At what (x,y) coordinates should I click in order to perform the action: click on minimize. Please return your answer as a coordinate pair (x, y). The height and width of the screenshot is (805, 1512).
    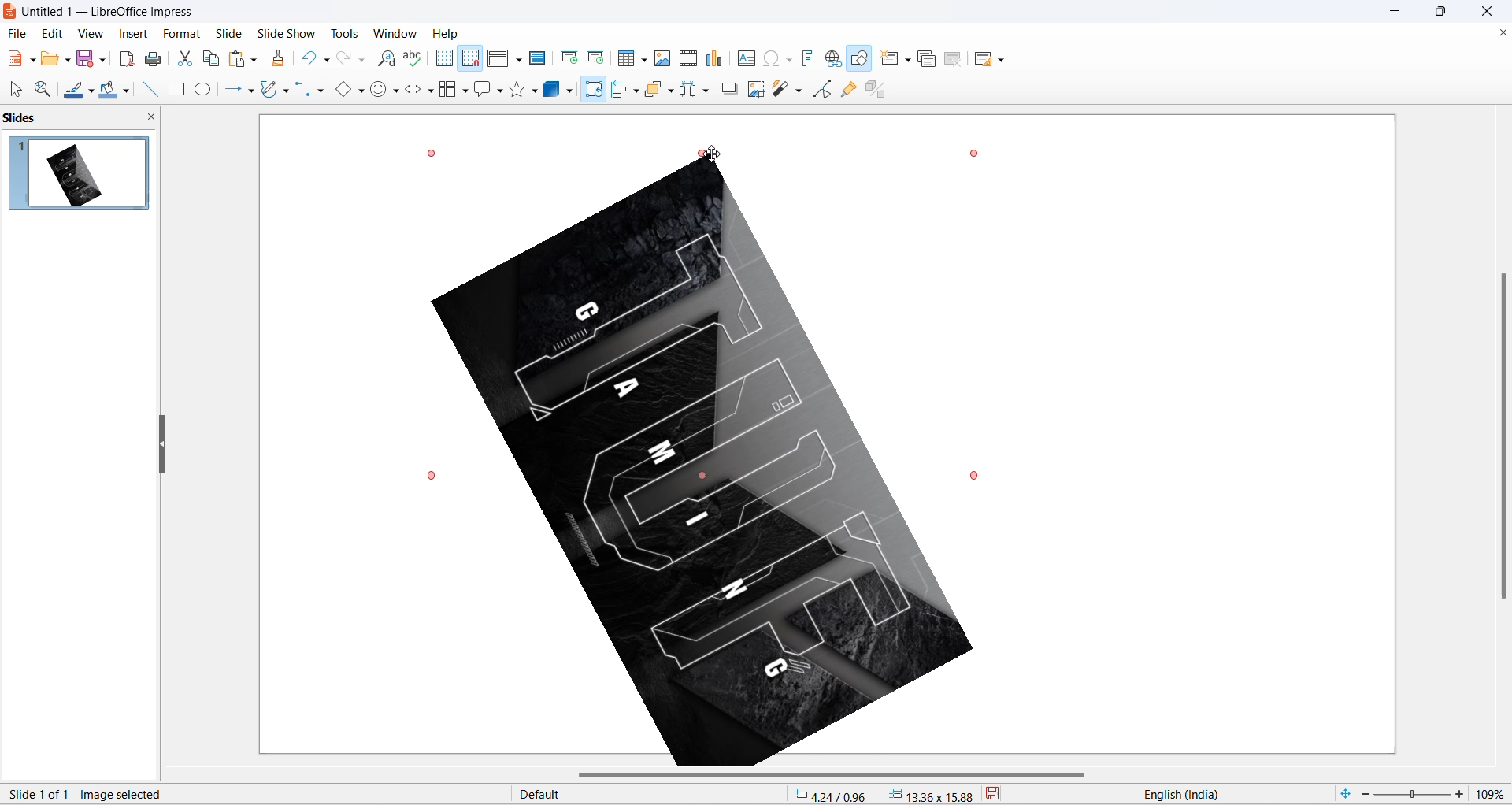
    Looking at the image, I should click on (1397, 12).